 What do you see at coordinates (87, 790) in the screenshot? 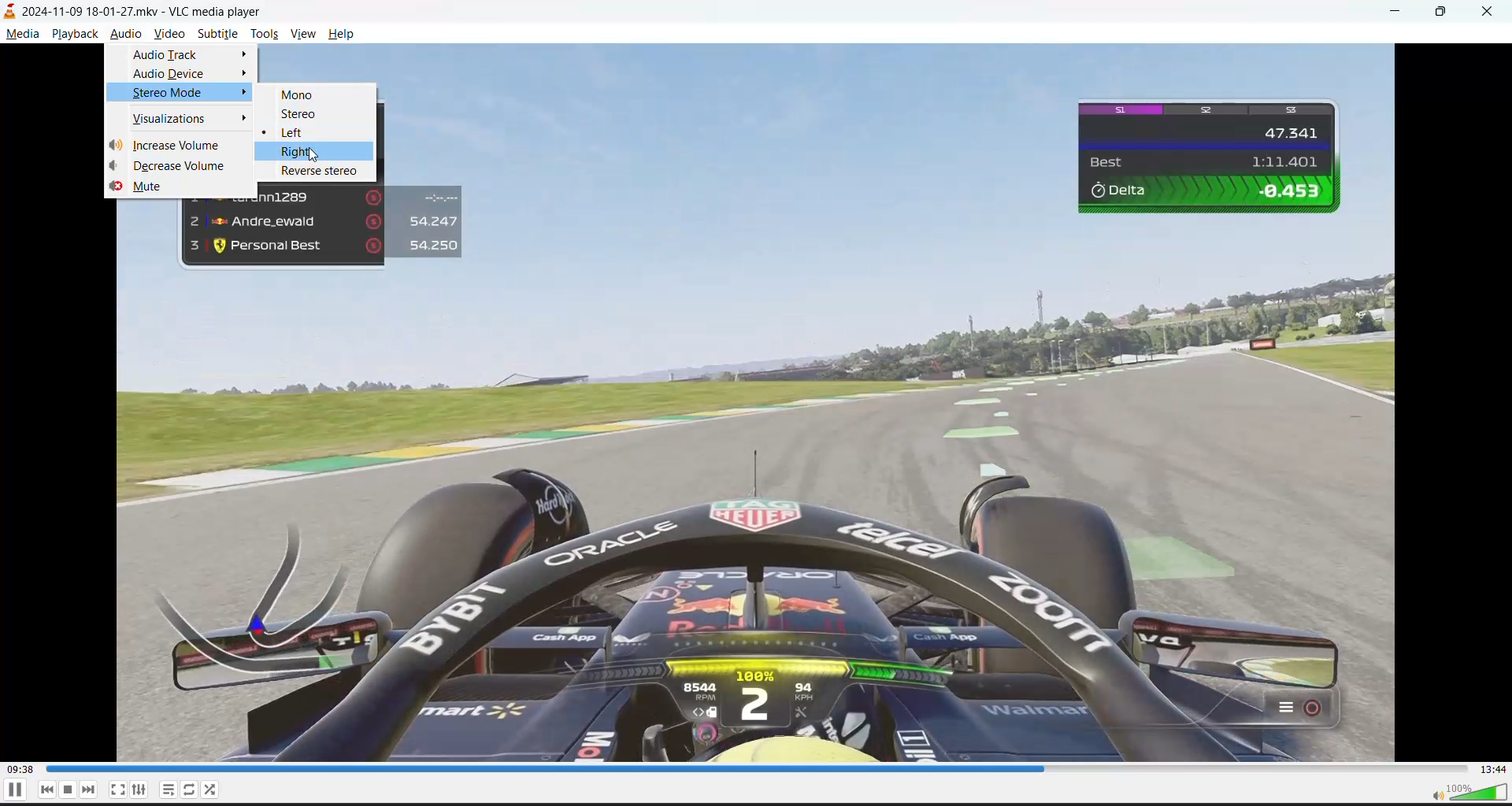
I see `next` at bounding box center [87, 790].